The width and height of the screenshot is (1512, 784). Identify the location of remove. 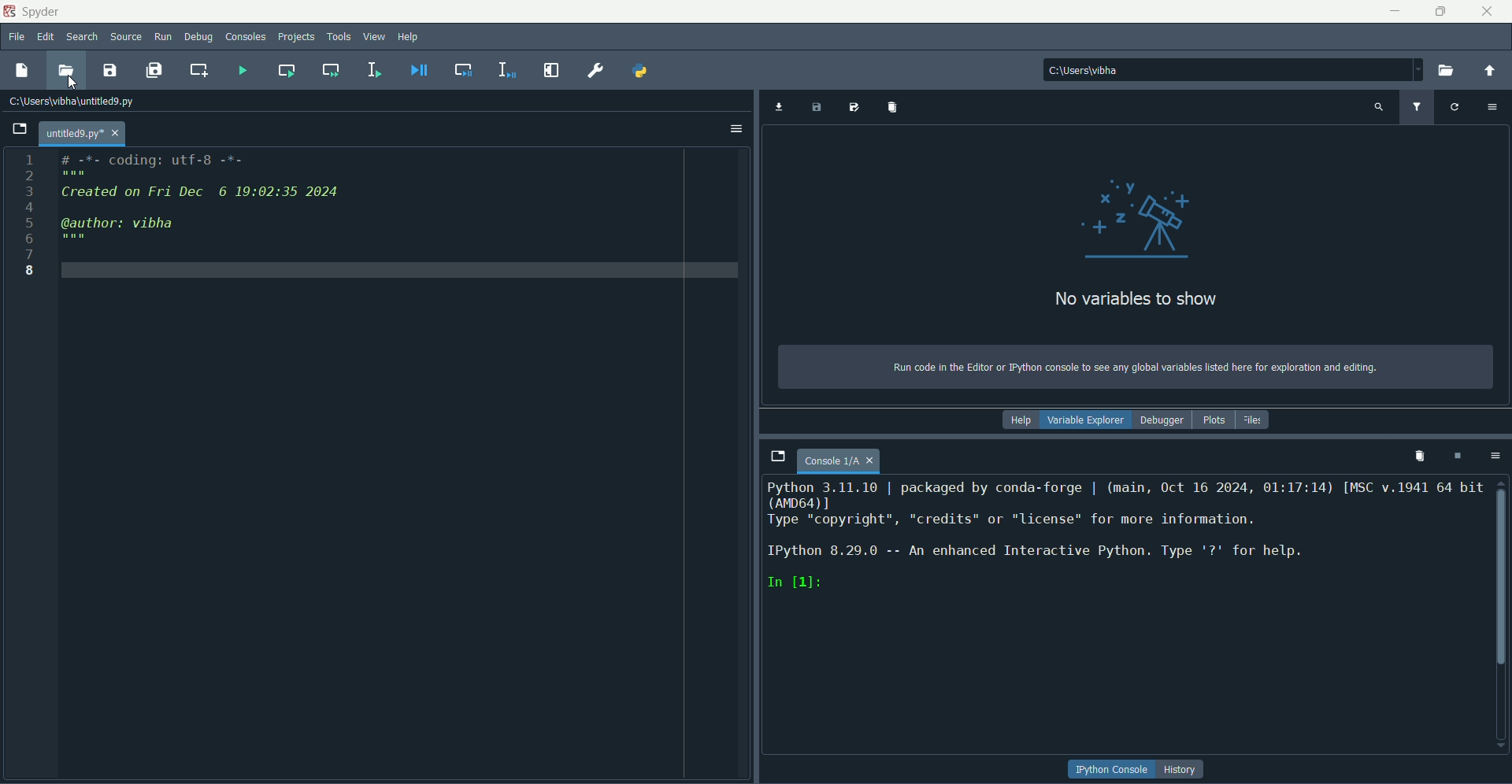
(1421, 457).